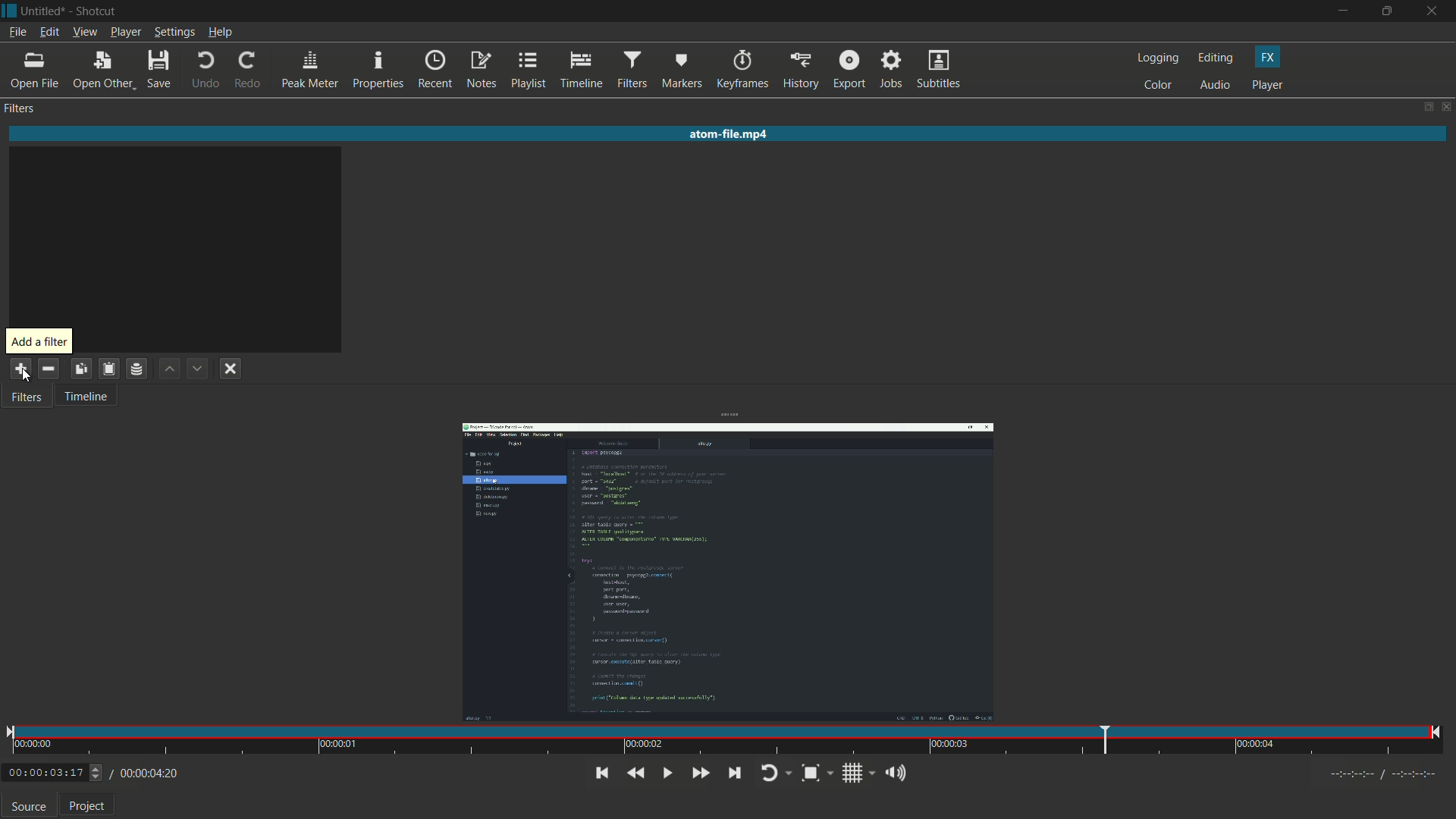  I want to click on move filter down, so click(199, 369).